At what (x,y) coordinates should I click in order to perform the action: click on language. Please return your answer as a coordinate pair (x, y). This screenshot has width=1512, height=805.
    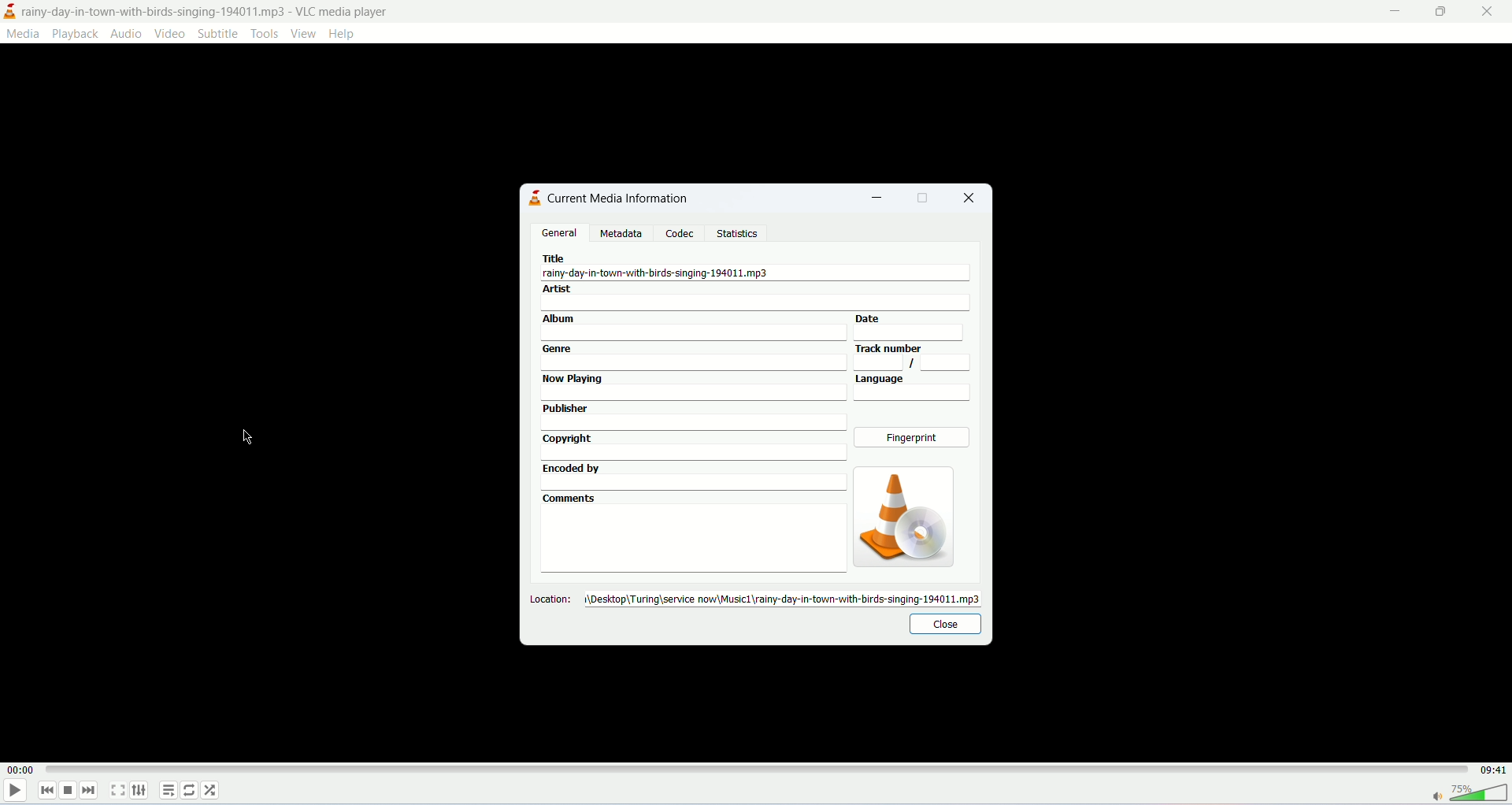
    Looking at the image, I should click on (913, 389).